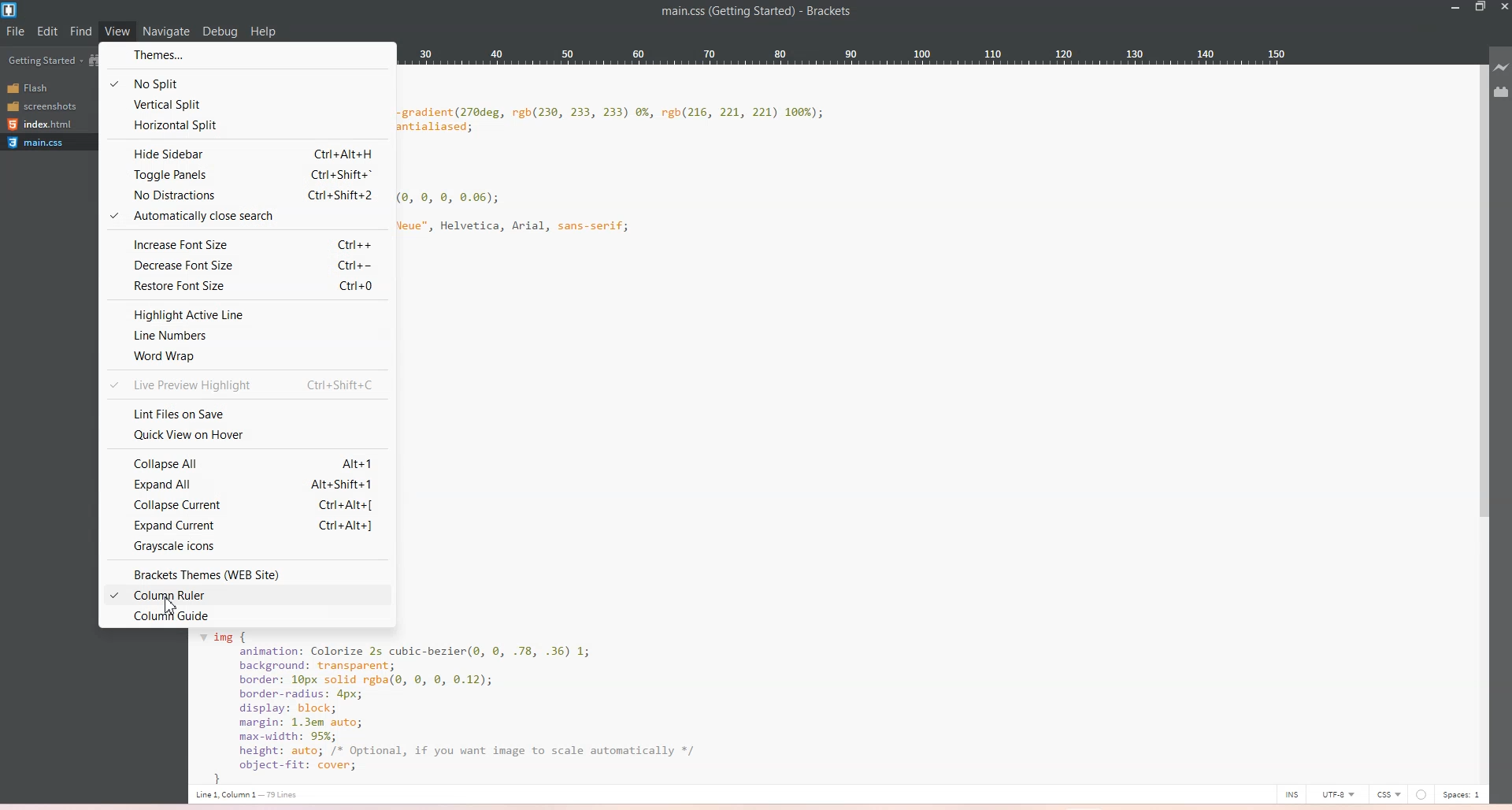  What do you see at coordinates (246, 215) in the screenshot?
I see `Automatically close search` at bounding box center [246, 215].